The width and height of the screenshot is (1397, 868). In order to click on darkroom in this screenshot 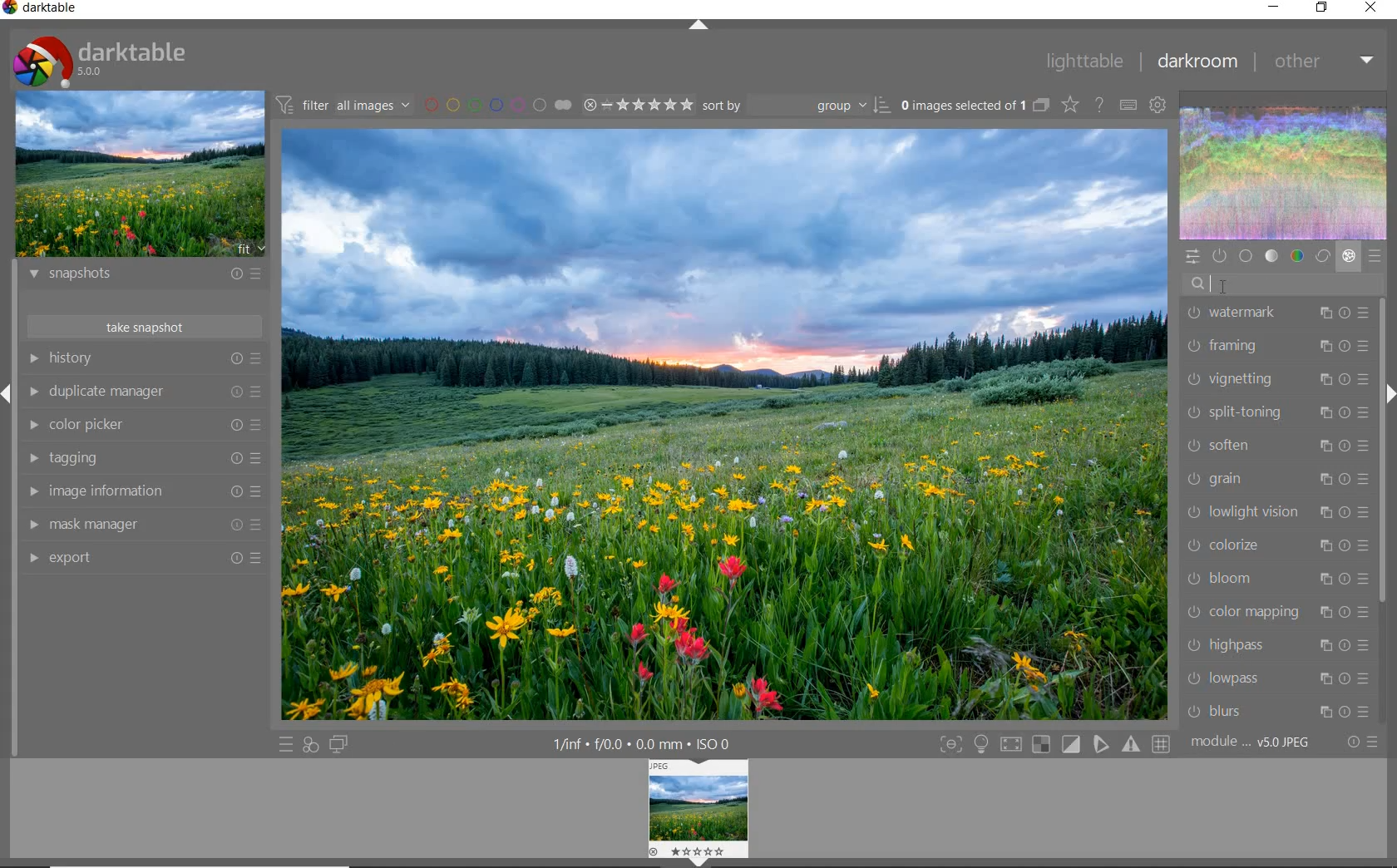, I will do `click(1200, 62)`.